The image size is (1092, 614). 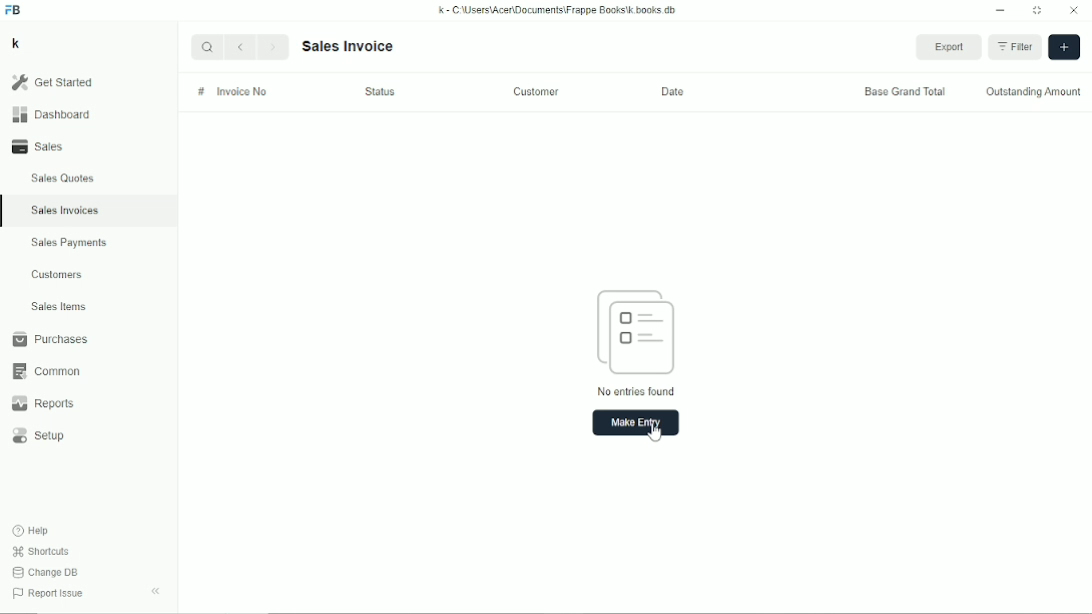 What do you see at coordinates (635, 422) in the screenshot?
I see `New entry` at bounding box center [635, 422].